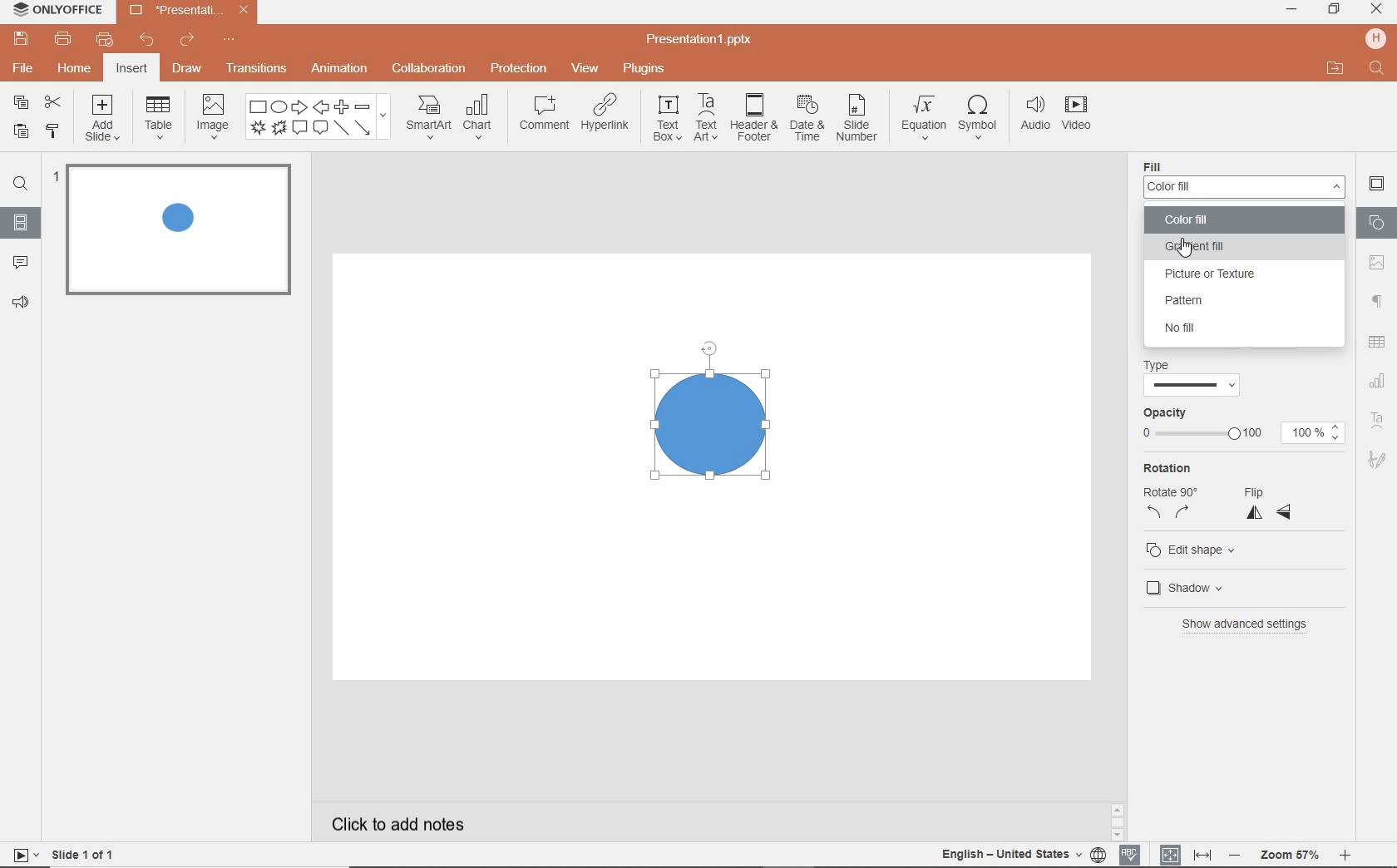 This screenshot has width=1397, height=868. I want to click on plugins, so click(645, 70).